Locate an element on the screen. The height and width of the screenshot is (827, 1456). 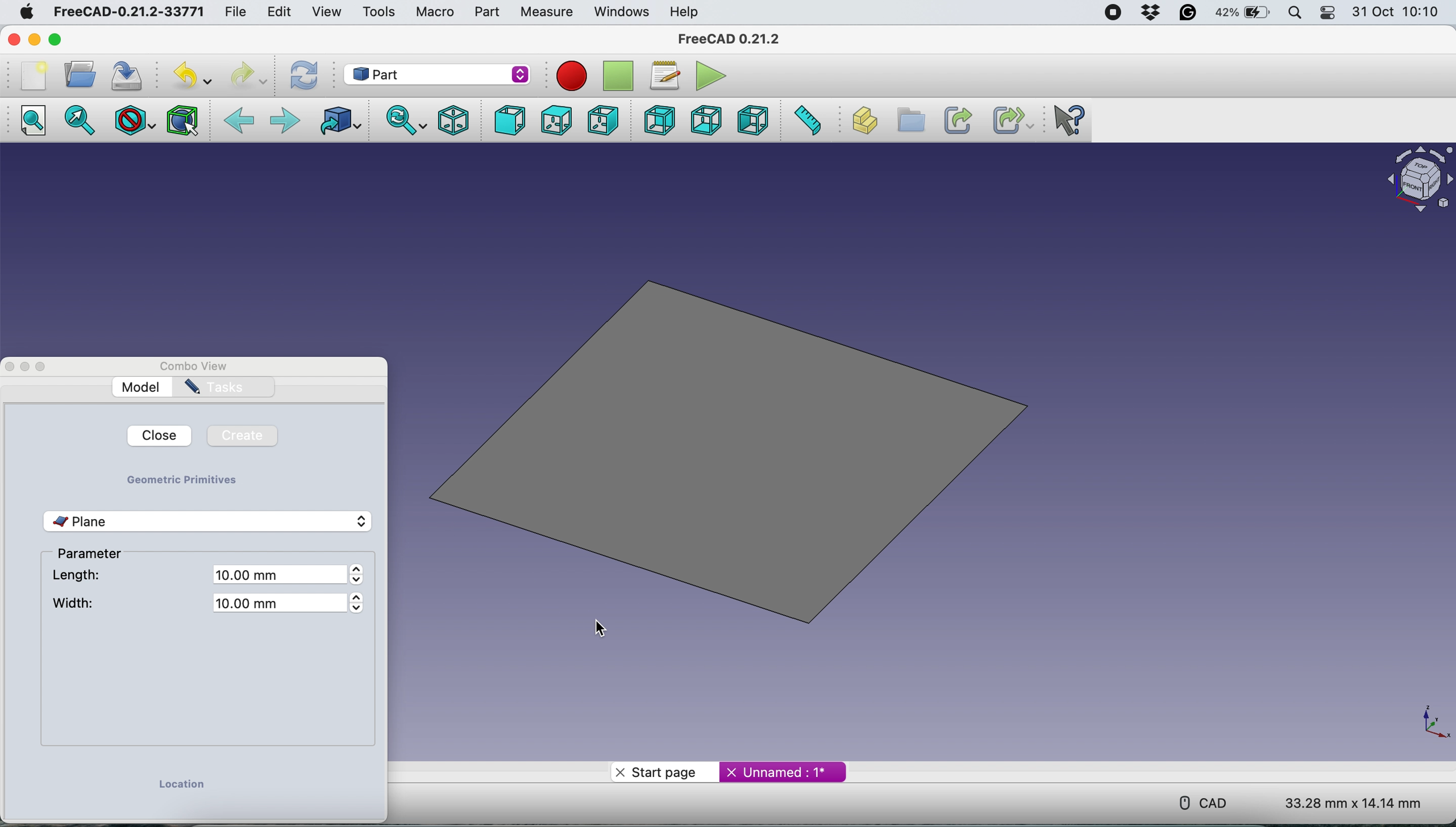
Save is located at coordinates (125, 75).